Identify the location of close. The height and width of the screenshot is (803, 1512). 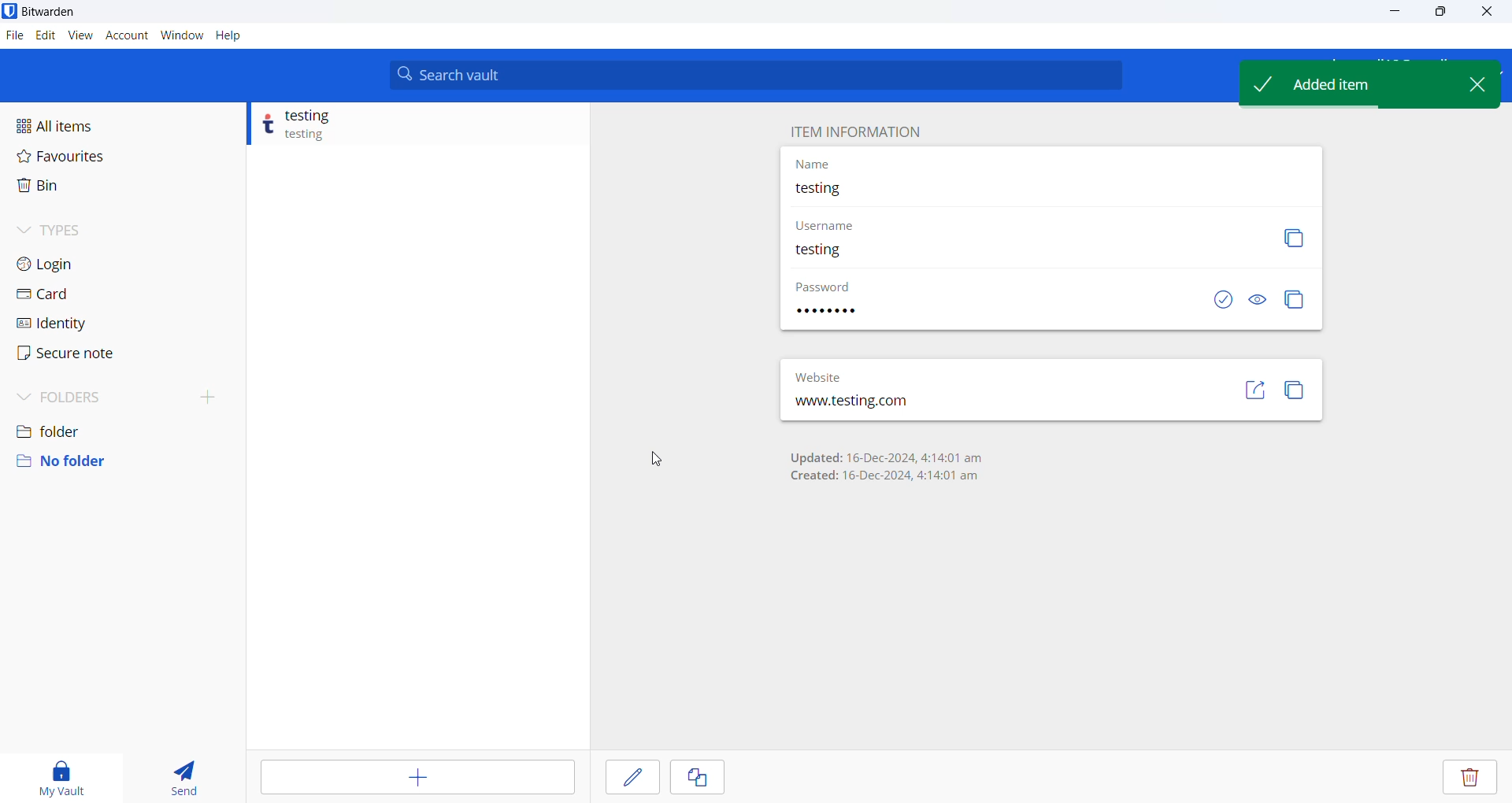
(1477, 83).